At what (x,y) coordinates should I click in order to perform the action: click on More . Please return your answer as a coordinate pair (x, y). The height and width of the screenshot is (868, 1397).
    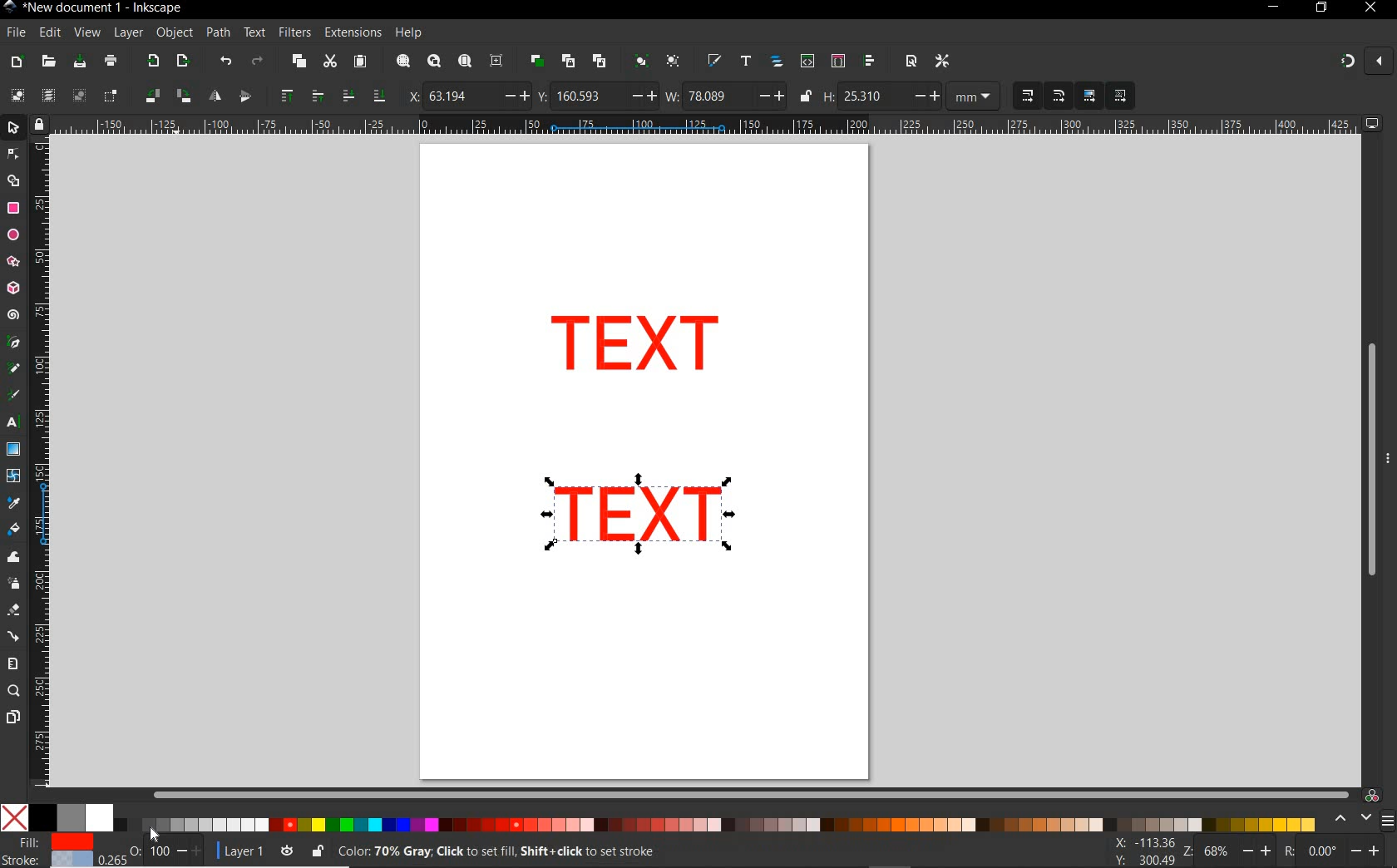
    Looking at the image, I should click on (1388, 465).